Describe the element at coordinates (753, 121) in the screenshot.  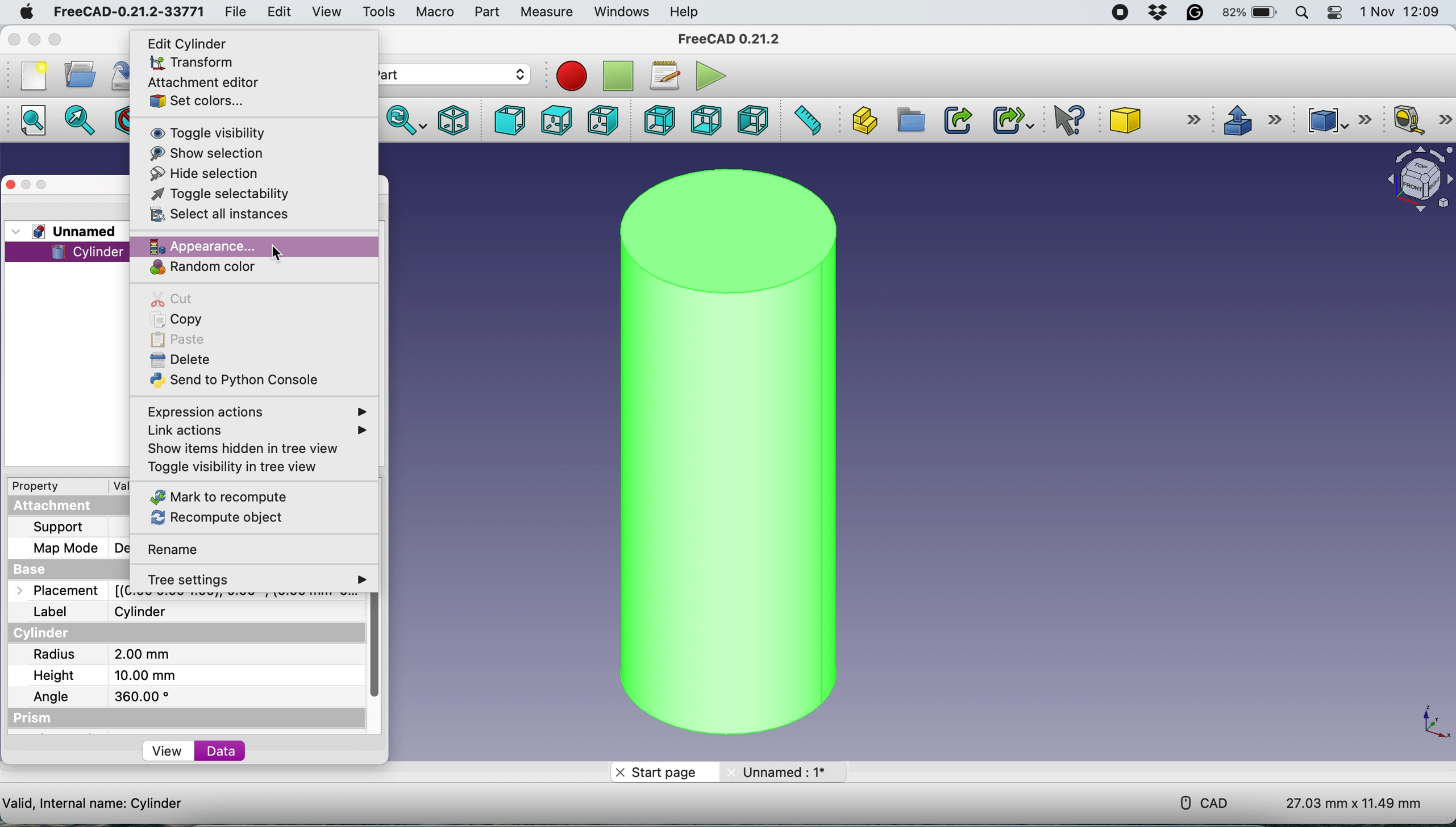
I see `left` at that location.